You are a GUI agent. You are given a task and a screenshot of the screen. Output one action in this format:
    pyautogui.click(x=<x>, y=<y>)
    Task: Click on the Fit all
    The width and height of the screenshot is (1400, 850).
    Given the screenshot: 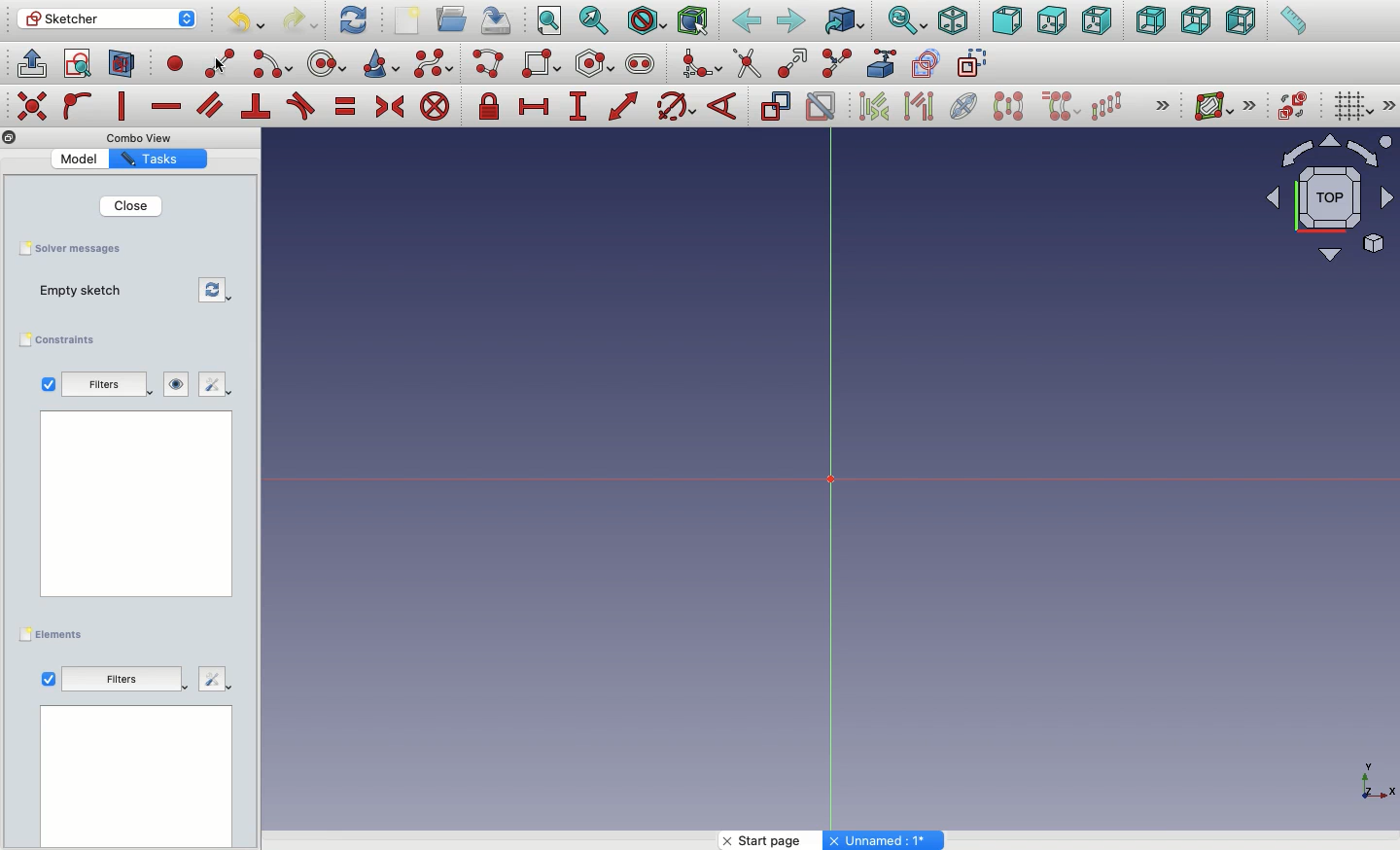 What is the action you would take?
    pyautogui.click(x=551, y=21)
    